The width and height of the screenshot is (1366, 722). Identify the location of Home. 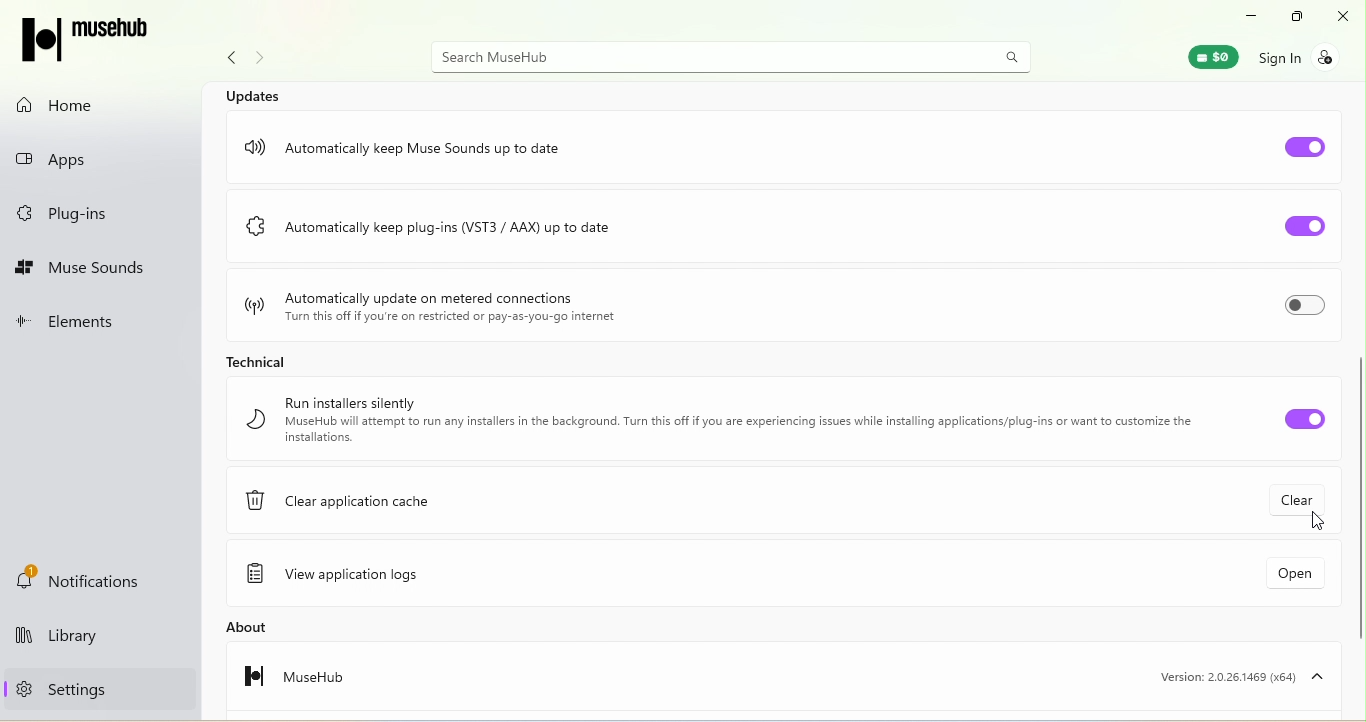
(66, 105).